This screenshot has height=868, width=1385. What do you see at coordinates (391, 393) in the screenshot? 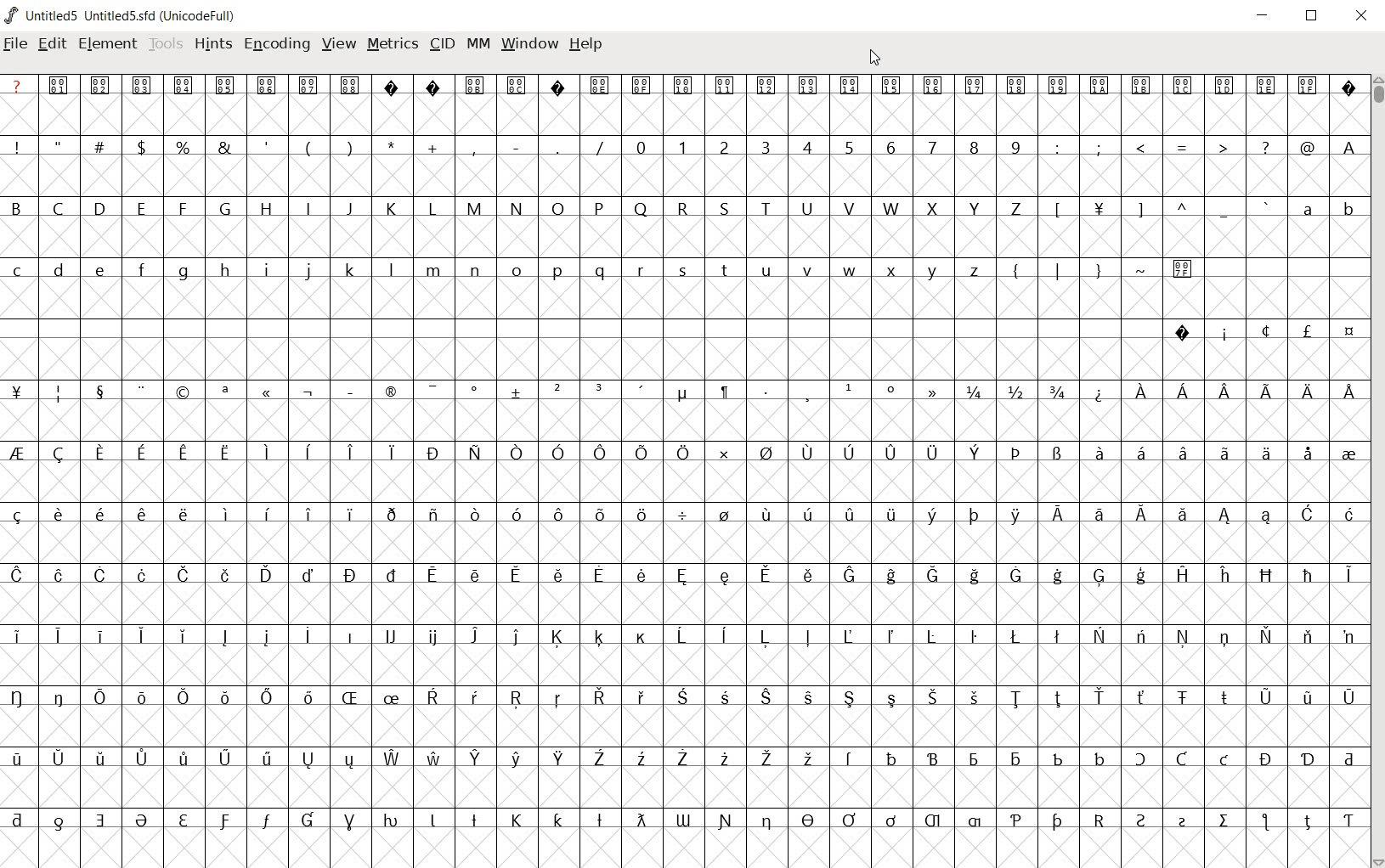
I see `Symbol` at bounding box center [391, 393].